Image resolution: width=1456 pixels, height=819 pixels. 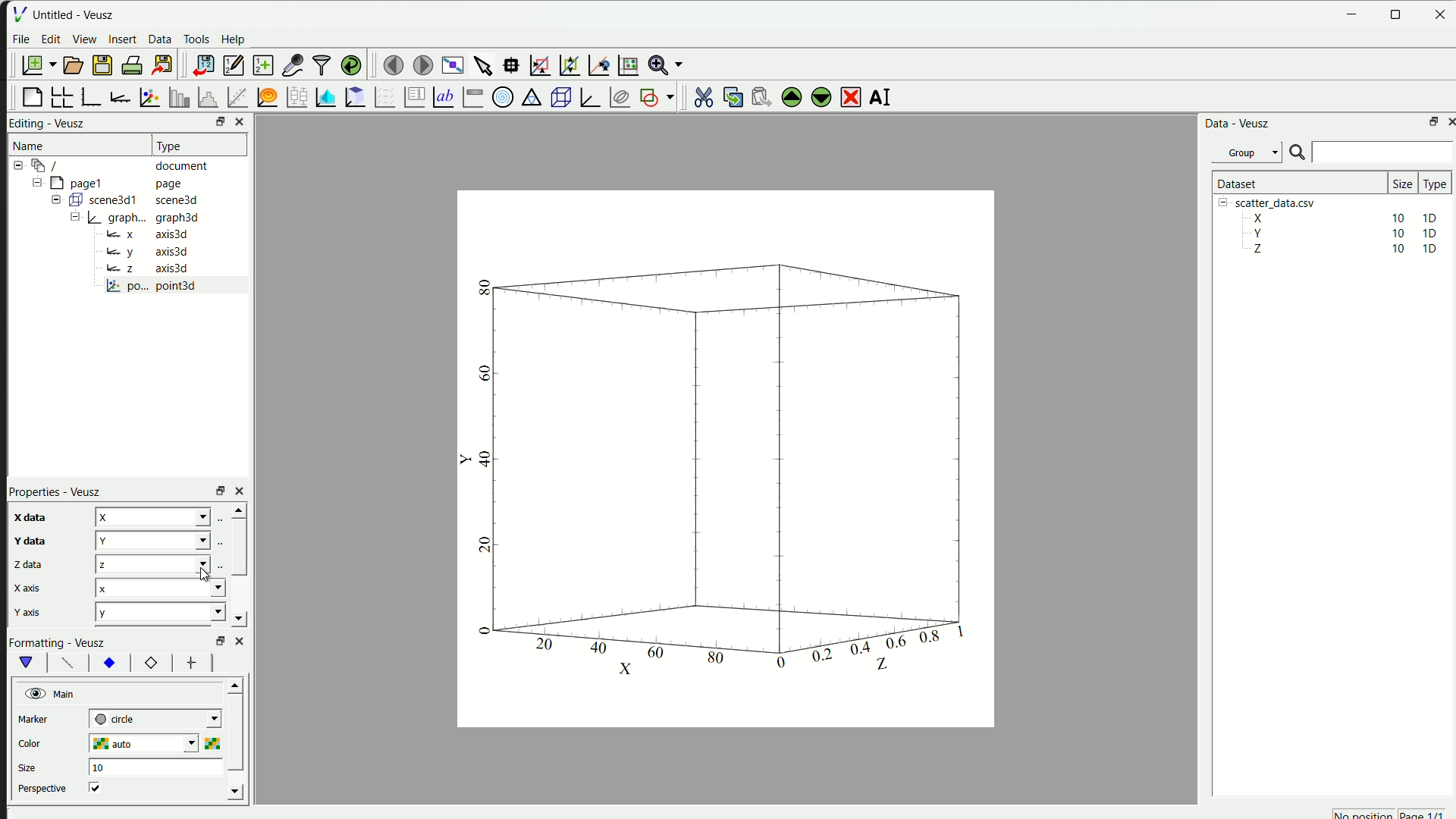 I want to click on y, so click(x=160, y=613).